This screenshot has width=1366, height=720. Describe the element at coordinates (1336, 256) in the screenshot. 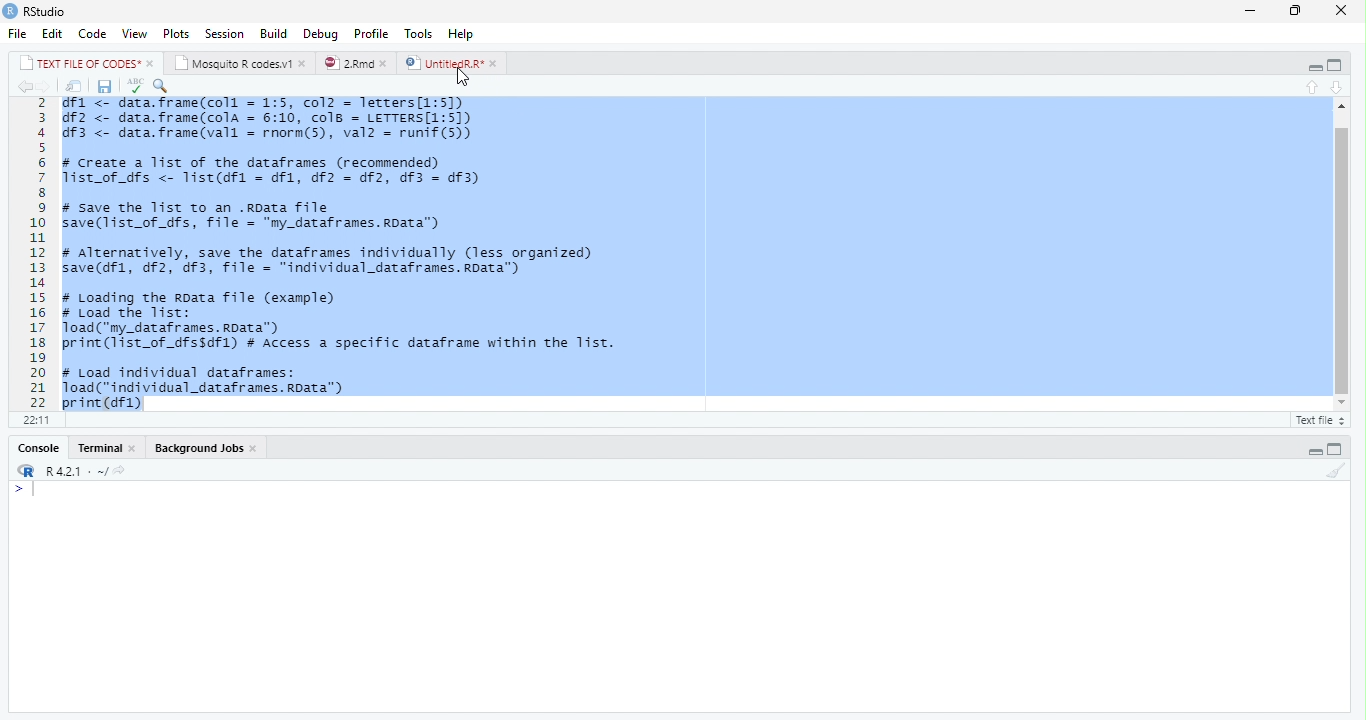

I see `vertical scroll bar` at that location.